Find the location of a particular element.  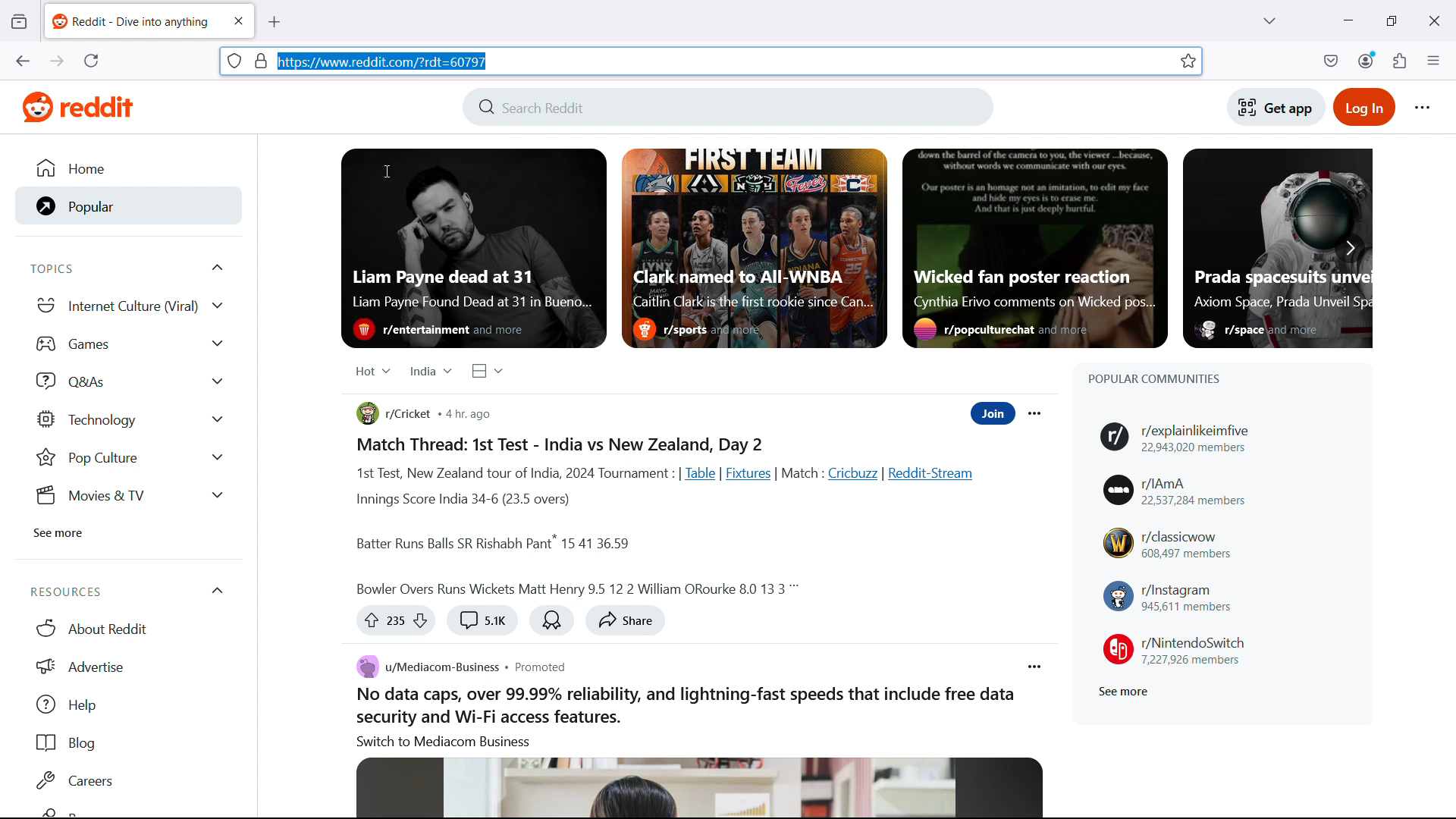

Reddit options is located at coordinates (1424, 108).